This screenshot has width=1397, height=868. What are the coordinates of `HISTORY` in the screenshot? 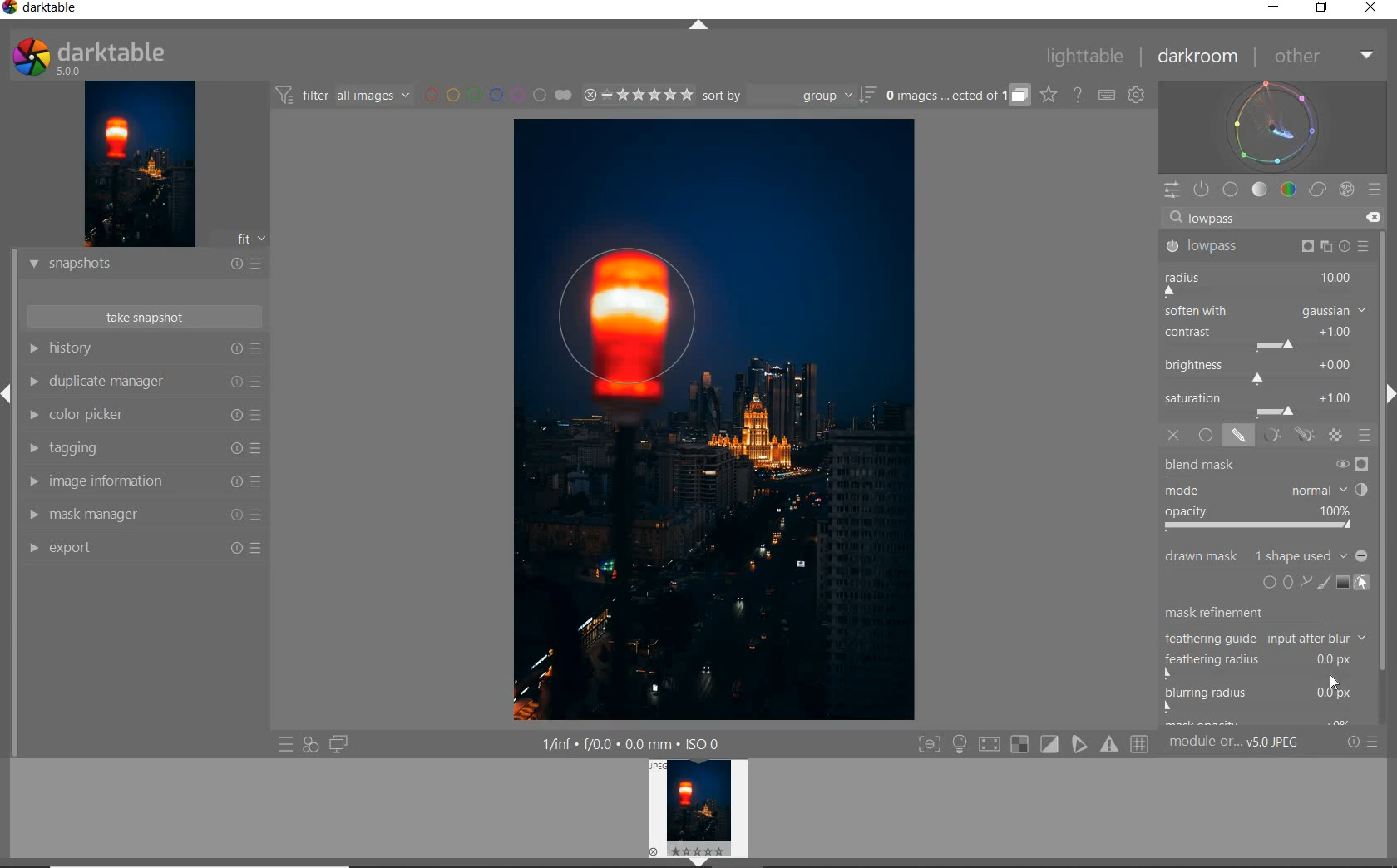 It's located at (143, 350).